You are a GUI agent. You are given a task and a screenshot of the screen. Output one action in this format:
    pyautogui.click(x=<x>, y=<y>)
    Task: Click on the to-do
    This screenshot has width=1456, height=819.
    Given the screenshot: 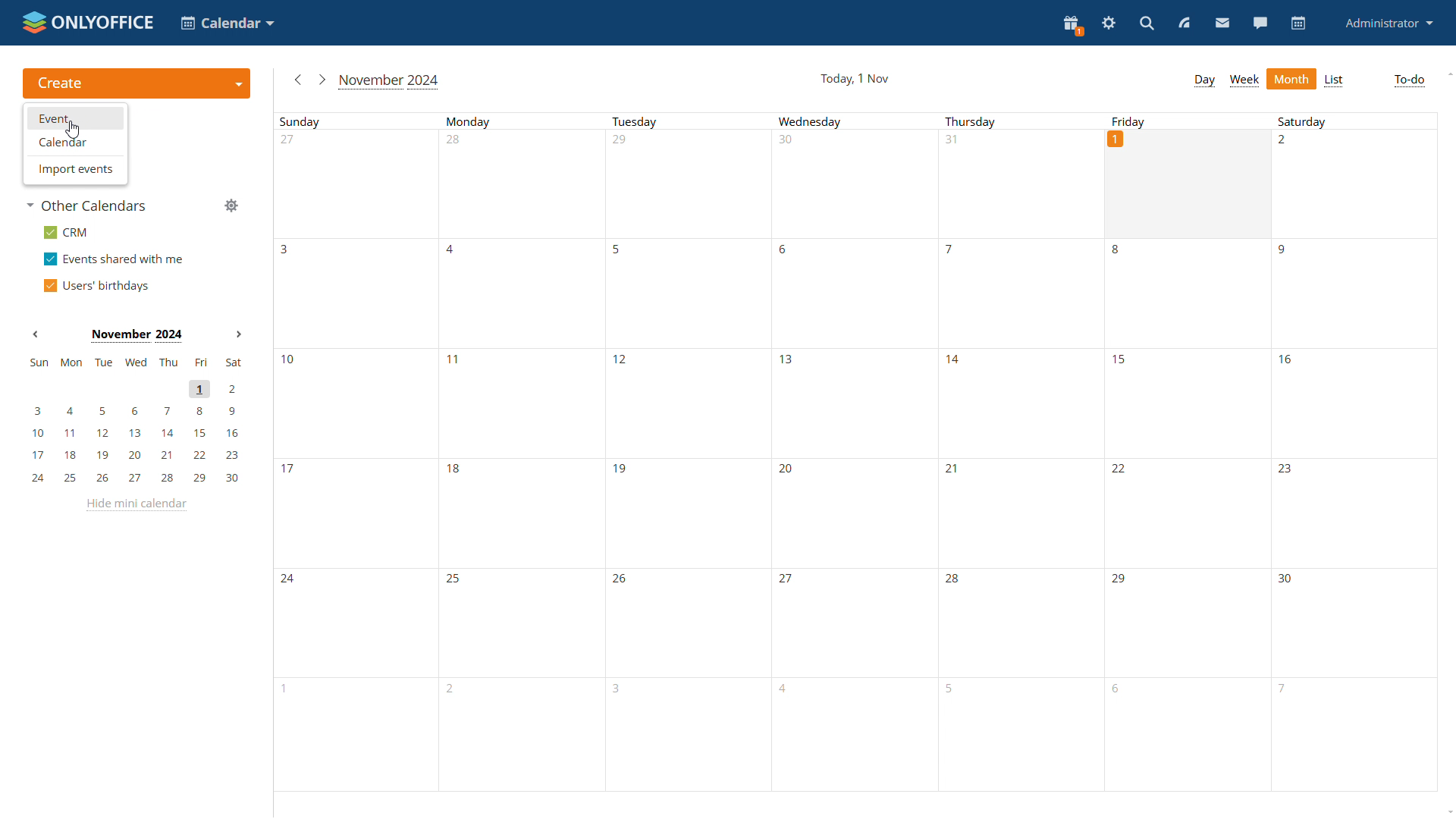 What is the action you would take?
    pyautogui.click(x=1409, y=80)
    